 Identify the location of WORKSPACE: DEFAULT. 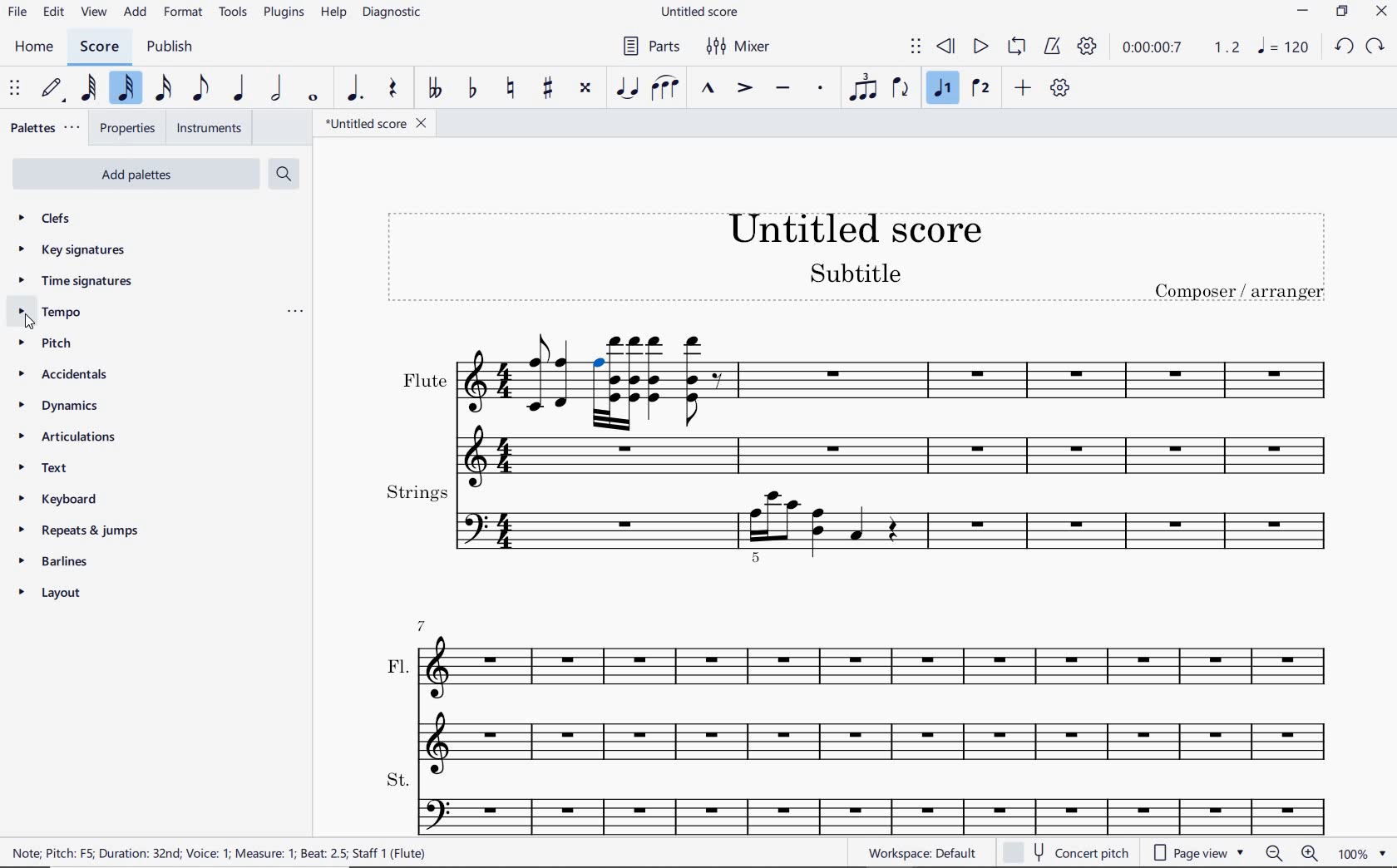
(924, 853).